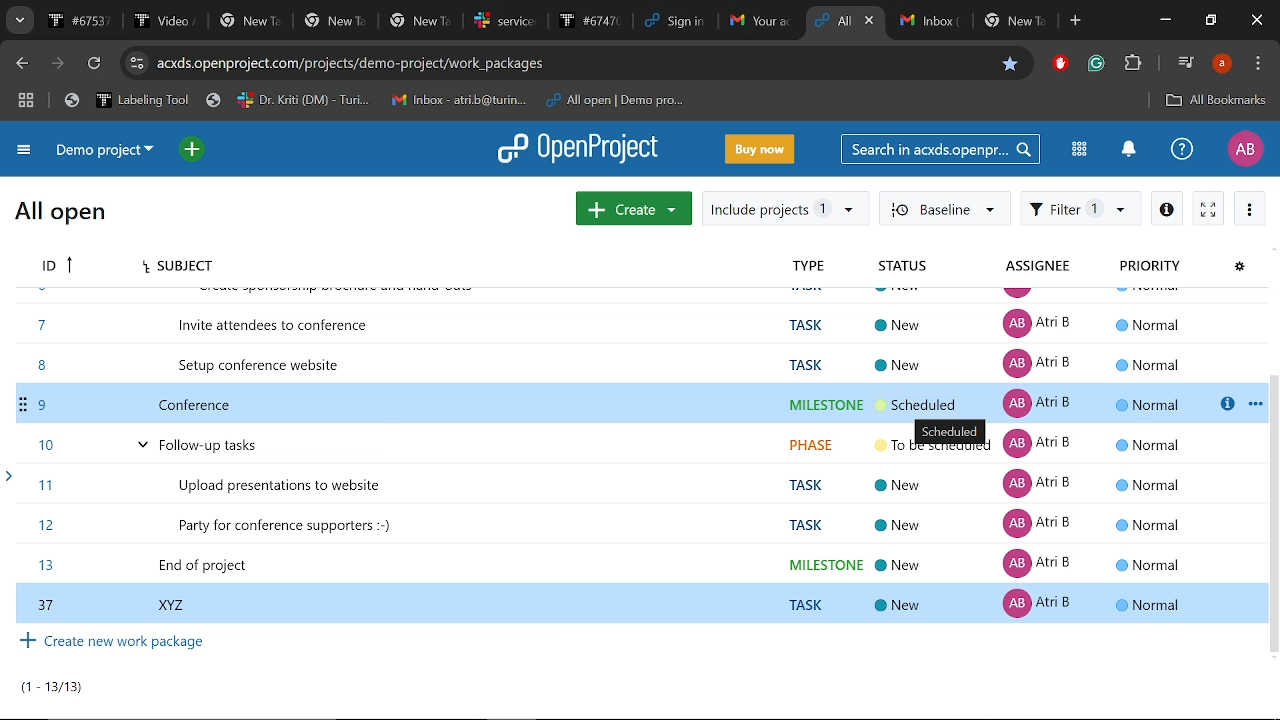 The height and width of the screenshot is (720, 1280). What do you see at coordinates (24, 100) in the screenshot?
I see `tab groups` at bounding box center [24, 100].